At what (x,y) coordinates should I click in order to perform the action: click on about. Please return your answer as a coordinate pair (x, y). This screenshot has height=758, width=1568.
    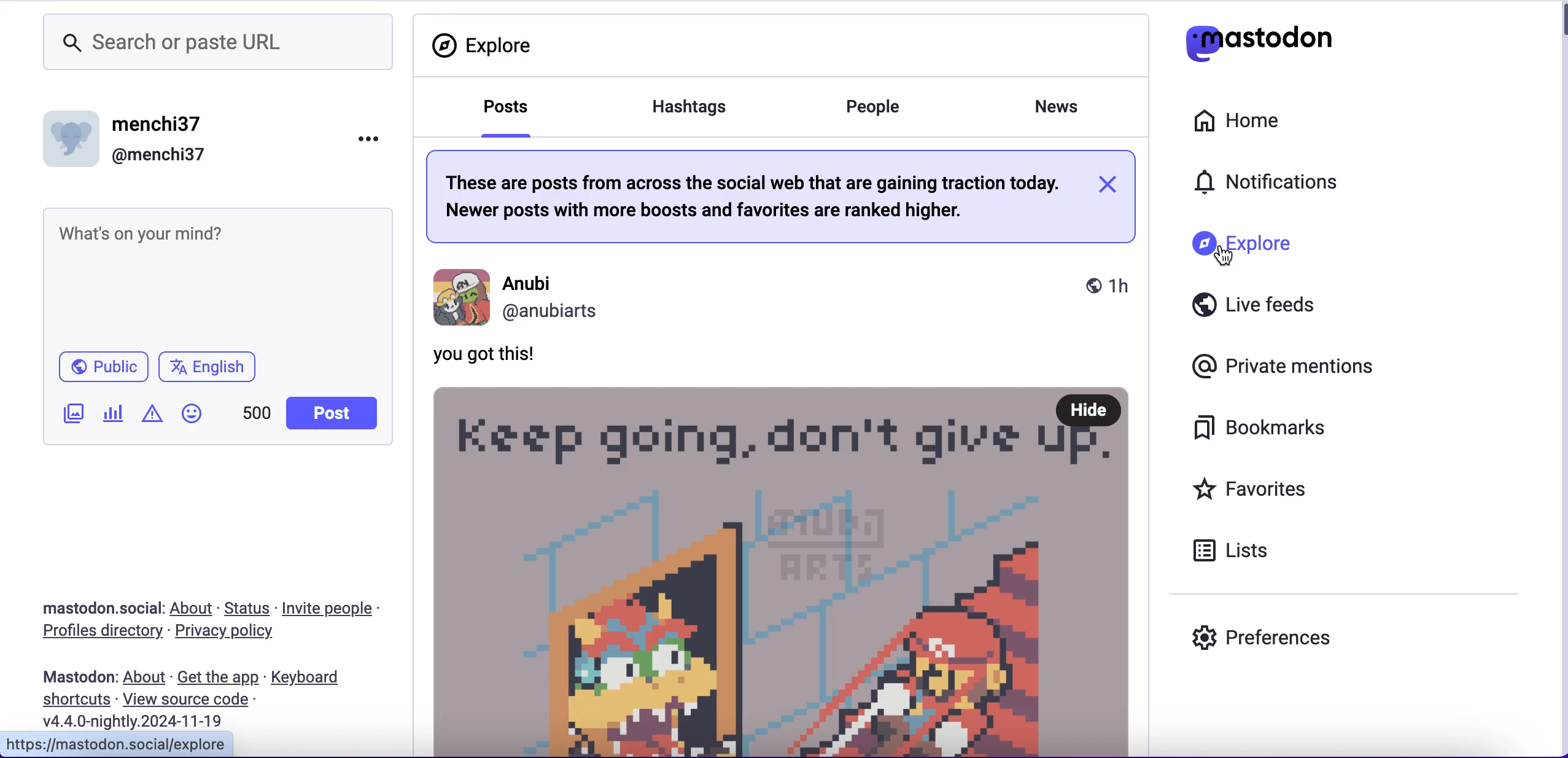
    Looking at the image, I should click on (193, 609).